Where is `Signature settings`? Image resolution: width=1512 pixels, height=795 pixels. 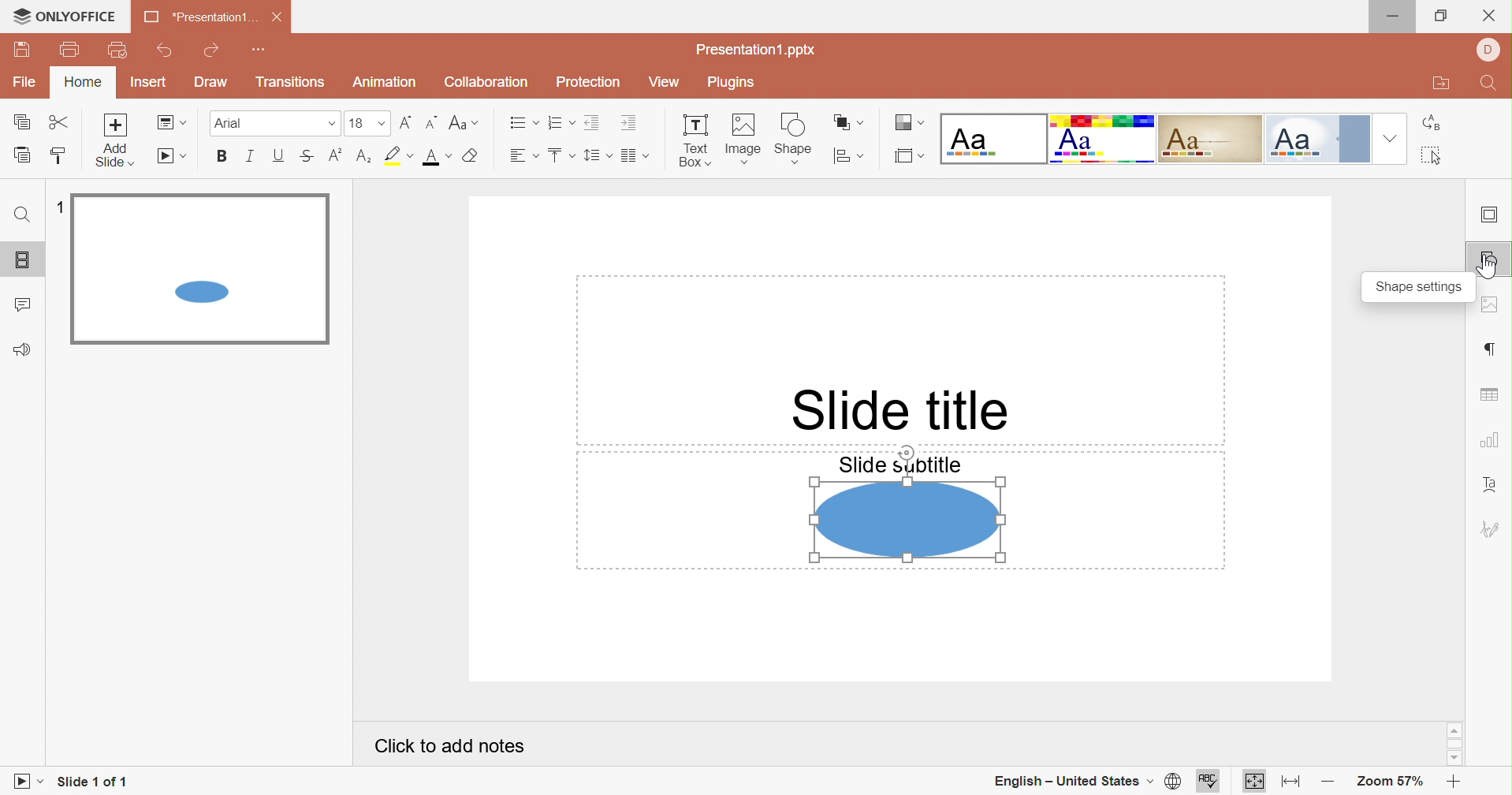 Signature settings is located at coordinates (1490, 530).